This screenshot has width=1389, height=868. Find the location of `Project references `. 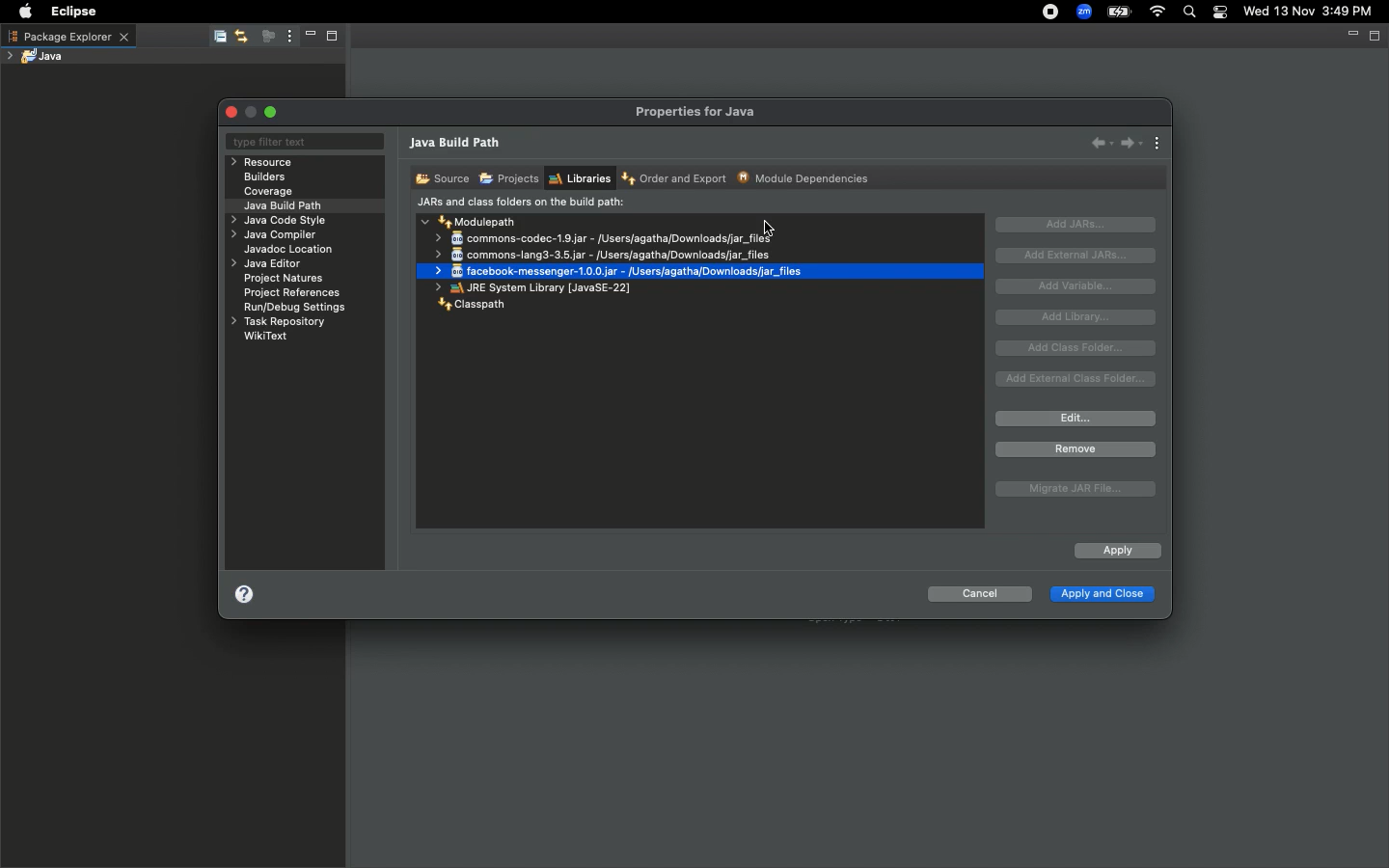

Project references  is located at coordinates (294, 293).